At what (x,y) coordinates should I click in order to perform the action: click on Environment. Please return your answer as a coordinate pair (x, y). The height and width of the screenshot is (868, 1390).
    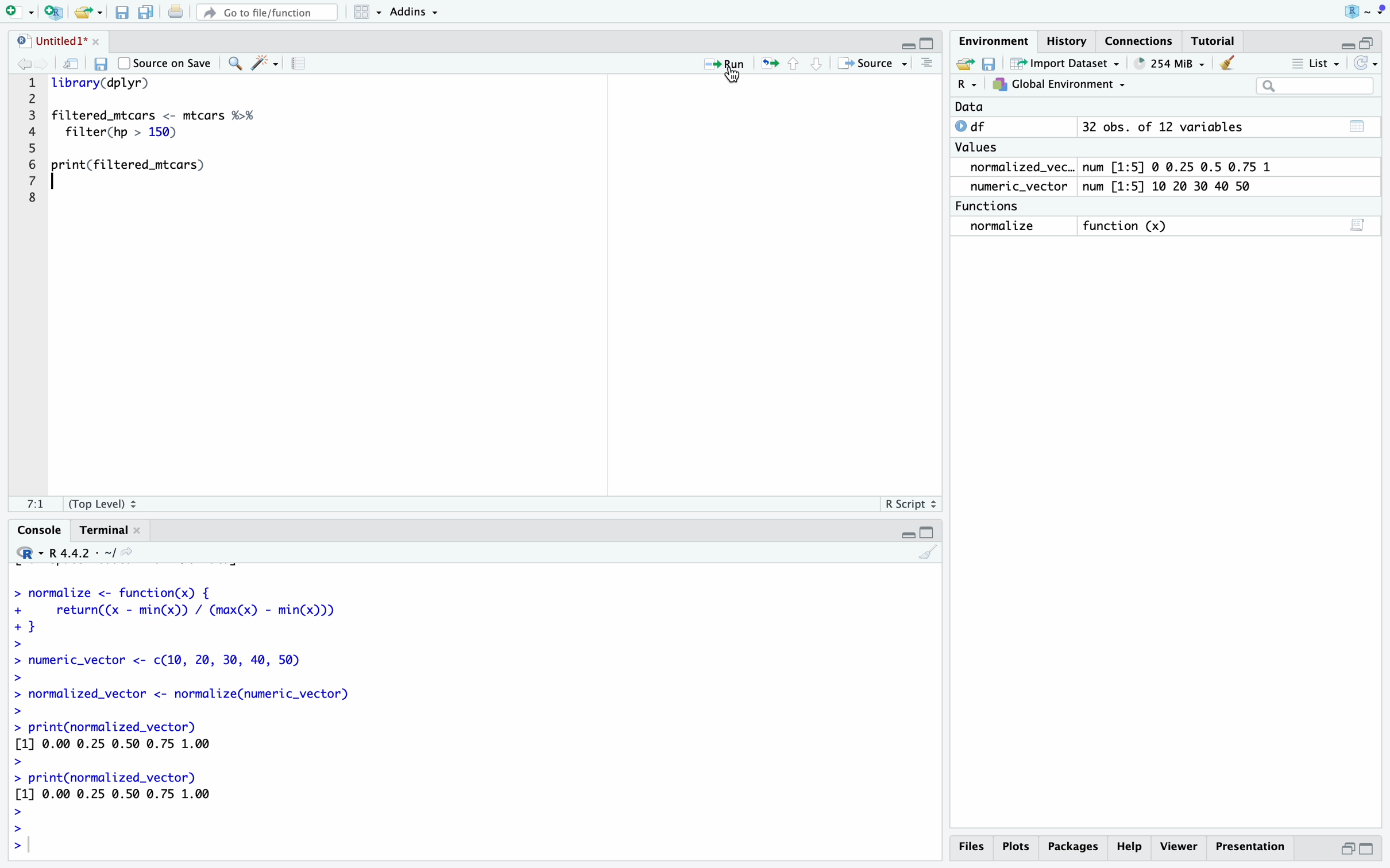
    Looking at the image, I should click on (994, 43).